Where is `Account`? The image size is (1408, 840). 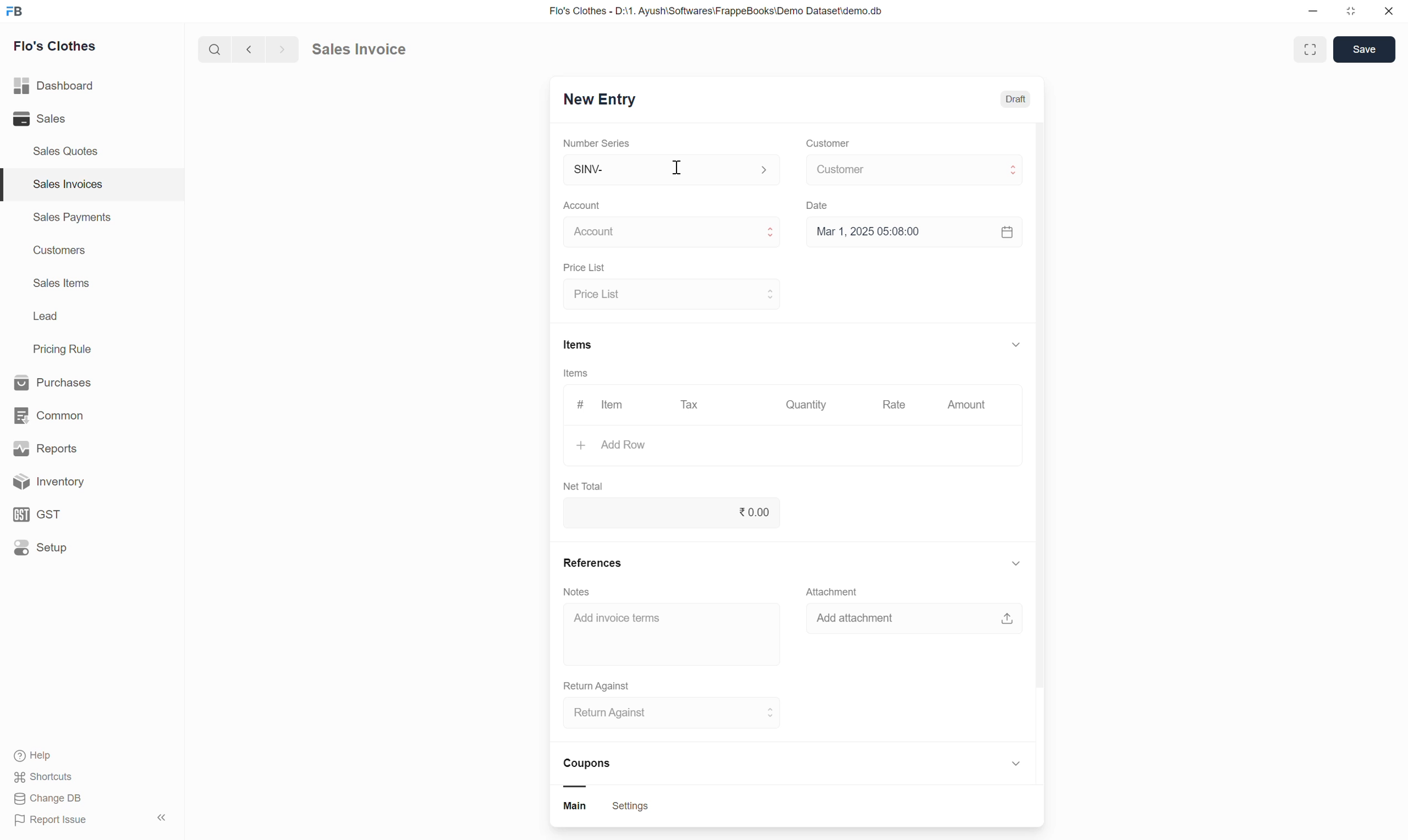 Account is located at coordinates (584, 205).